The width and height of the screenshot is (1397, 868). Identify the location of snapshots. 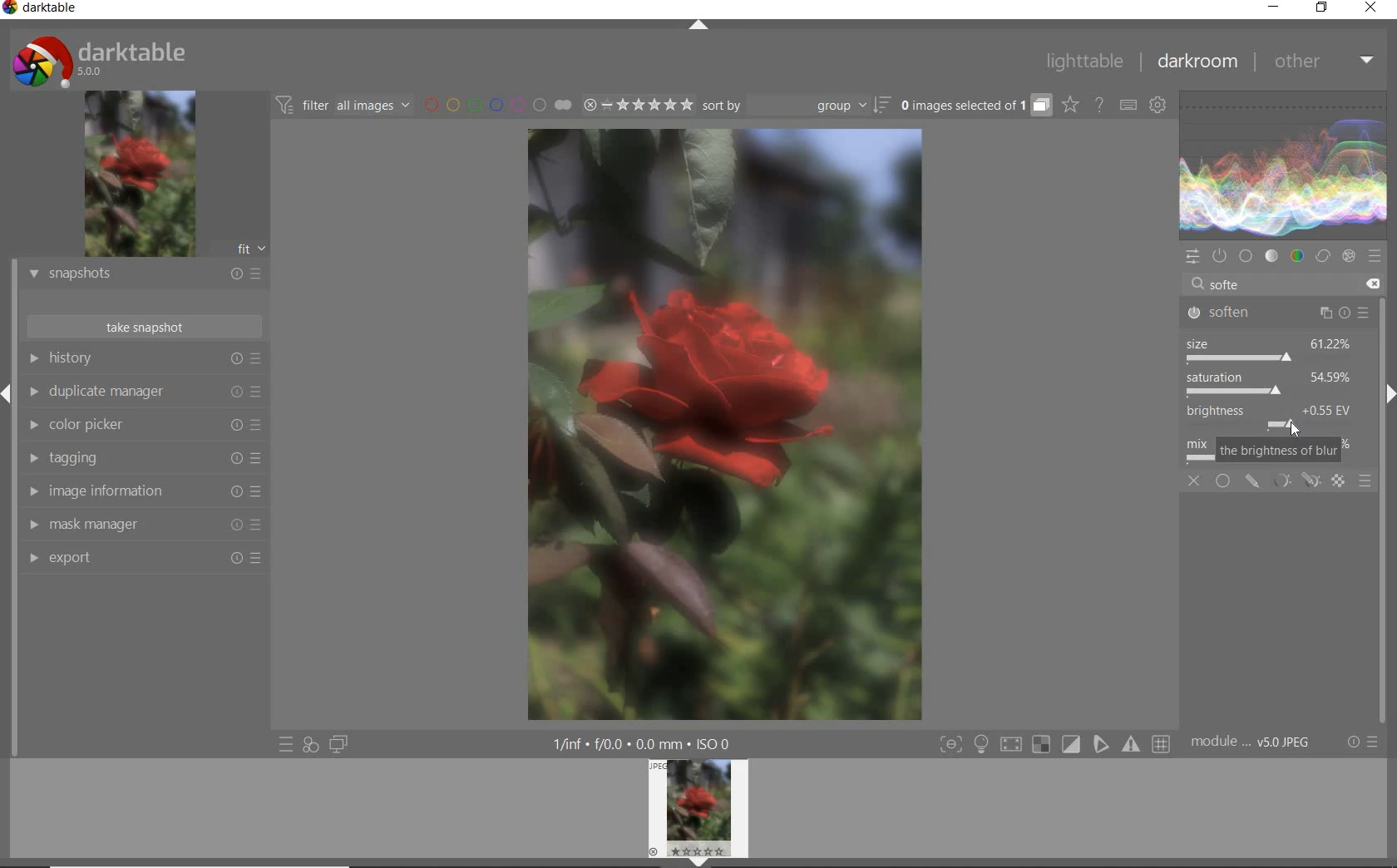
(144, 275).